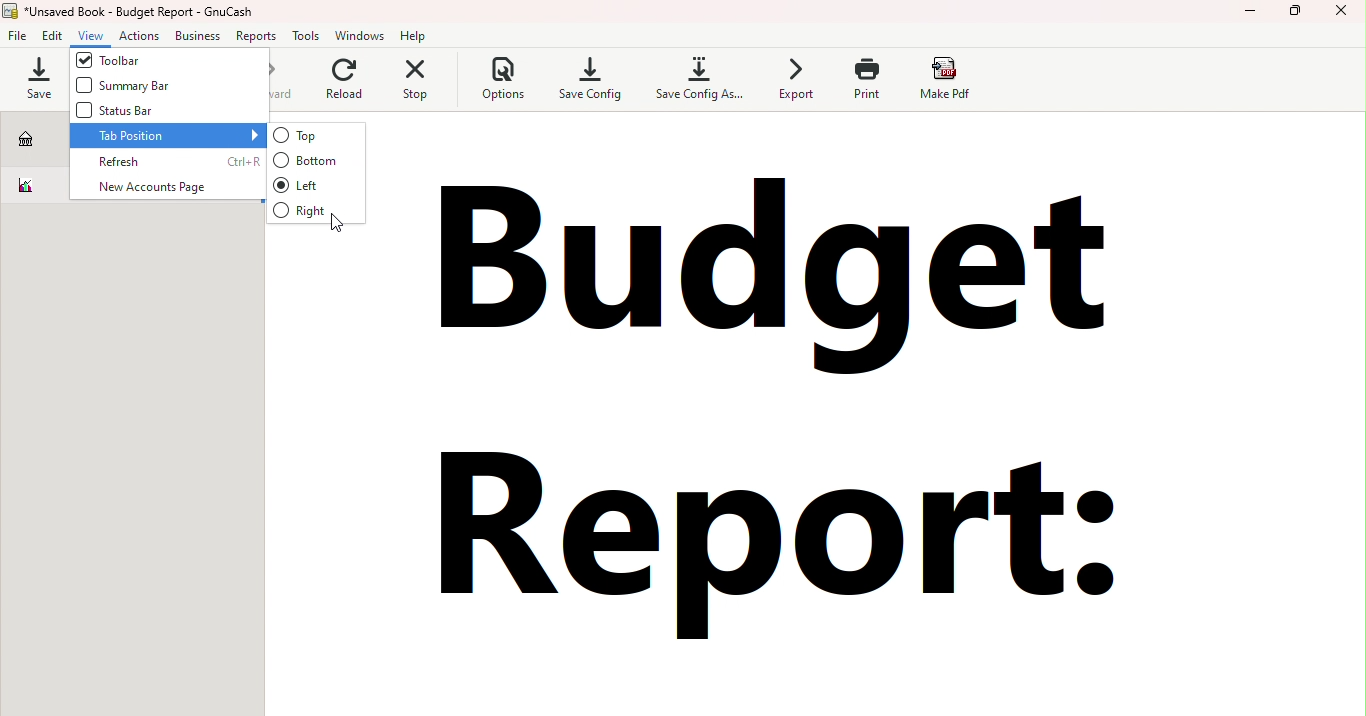  What do you see at coordinates (197, 36) in the screenshot?
I see `Business` at bounding box center [197, 36].